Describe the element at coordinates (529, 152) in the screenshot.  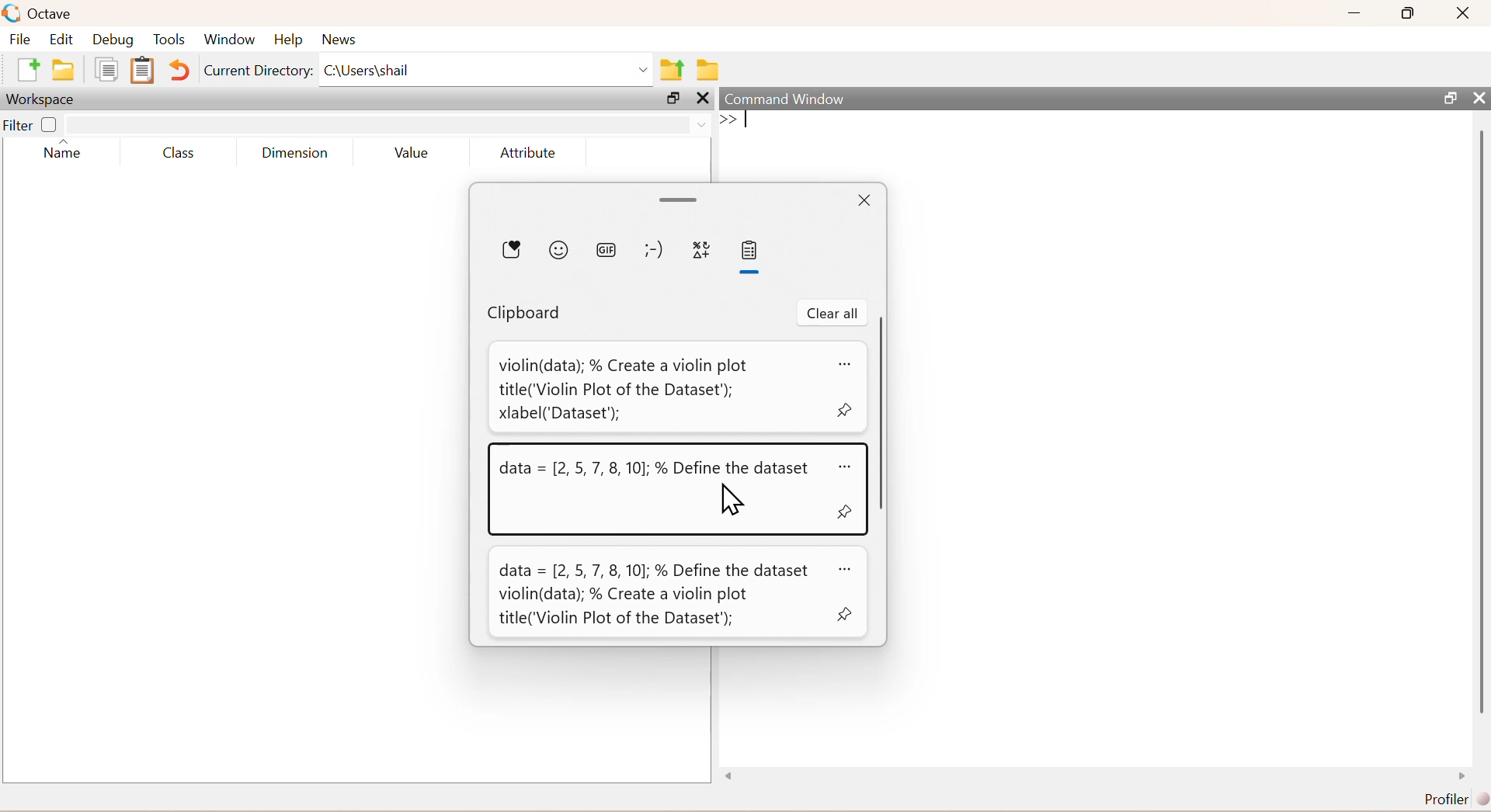
I see `Attribute` at that location.